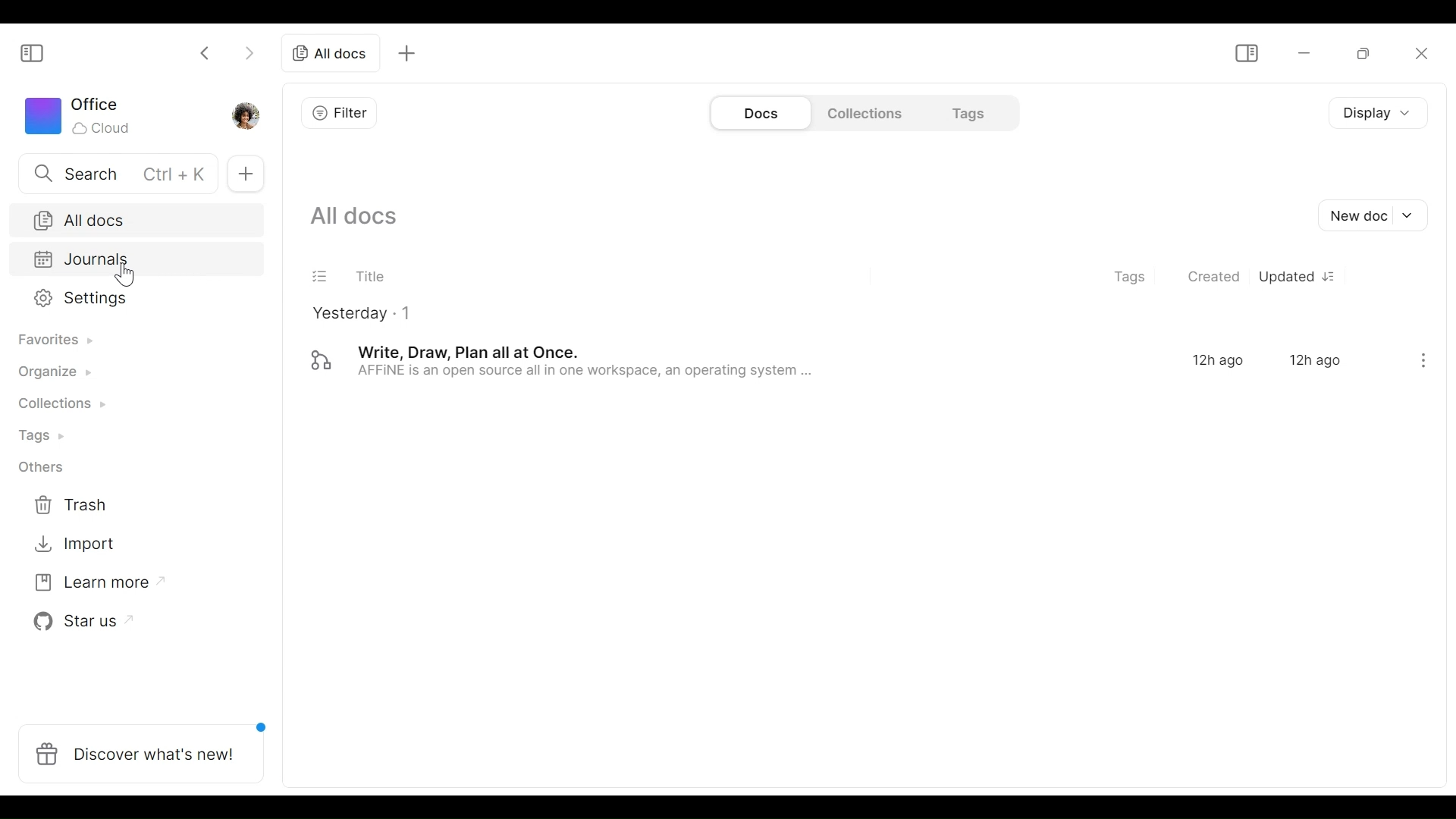 This screenshot has height=819, width=1456. What do you see at coordinates (244, 174) in the screenshot?
I see `Add new ` at bounding box center [244, 174].